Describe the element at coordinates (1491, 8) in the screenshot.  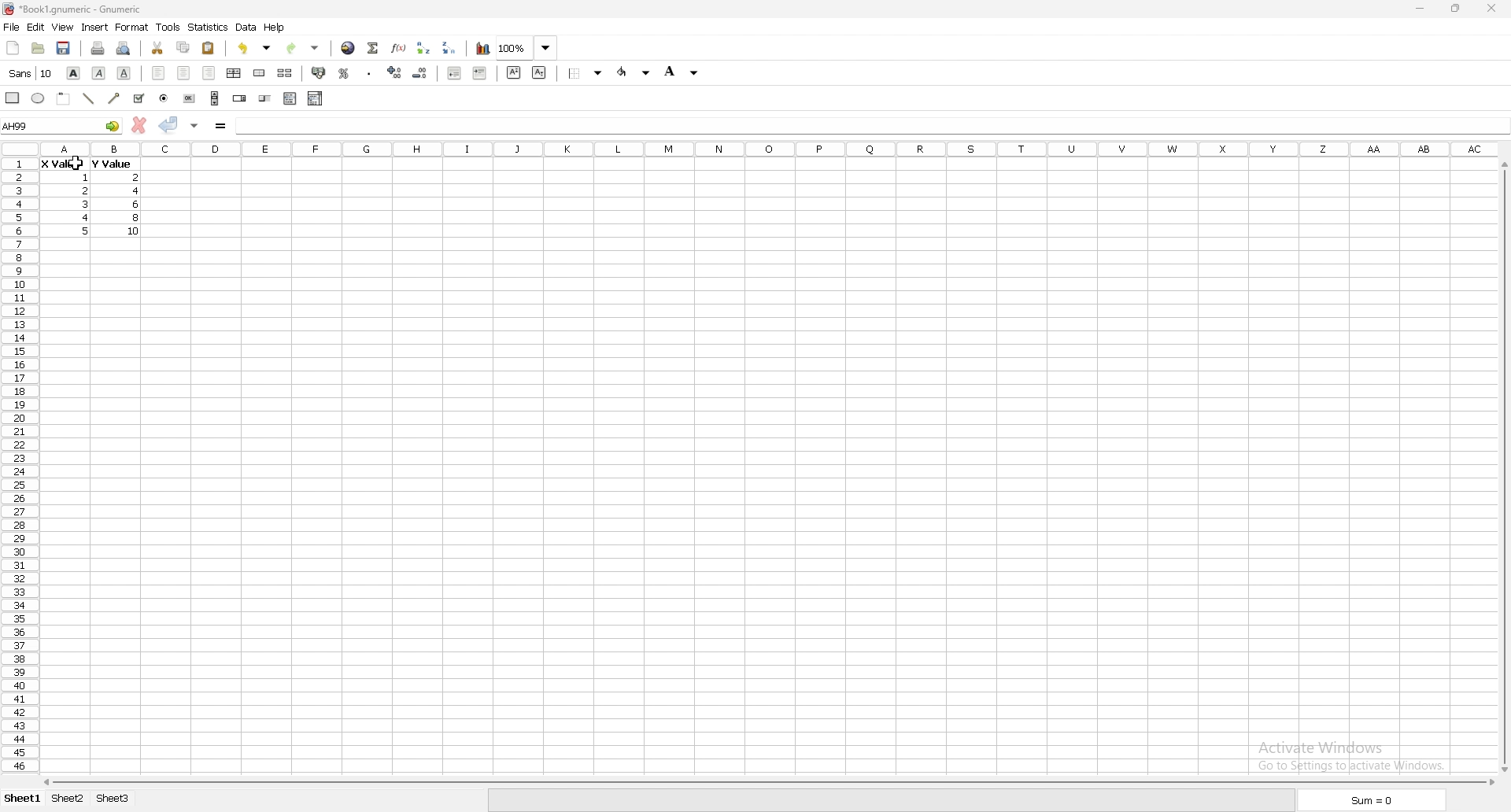
I see `close` at that location.